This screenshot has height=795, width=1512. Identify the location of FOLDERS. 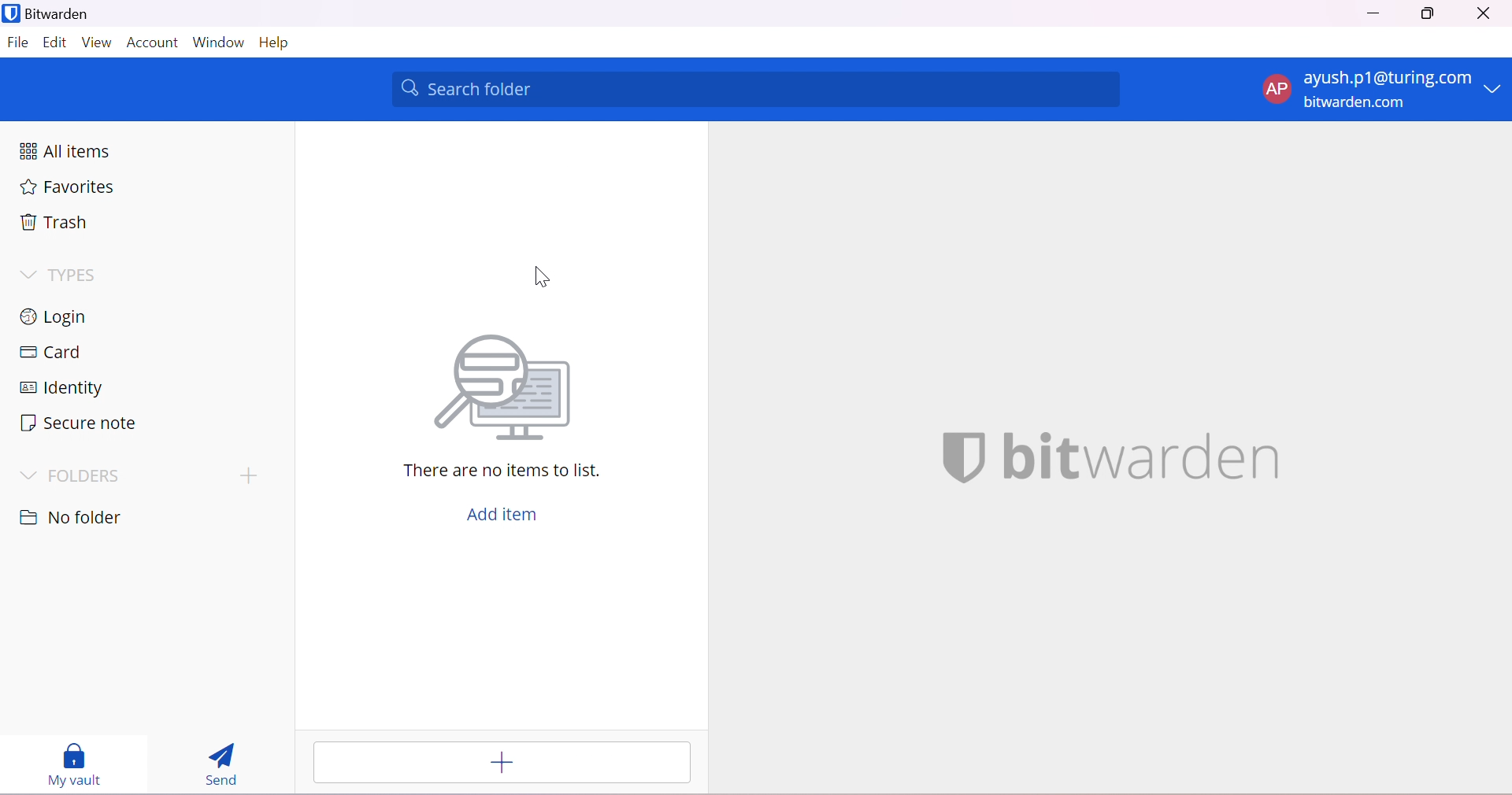
(87, 475).